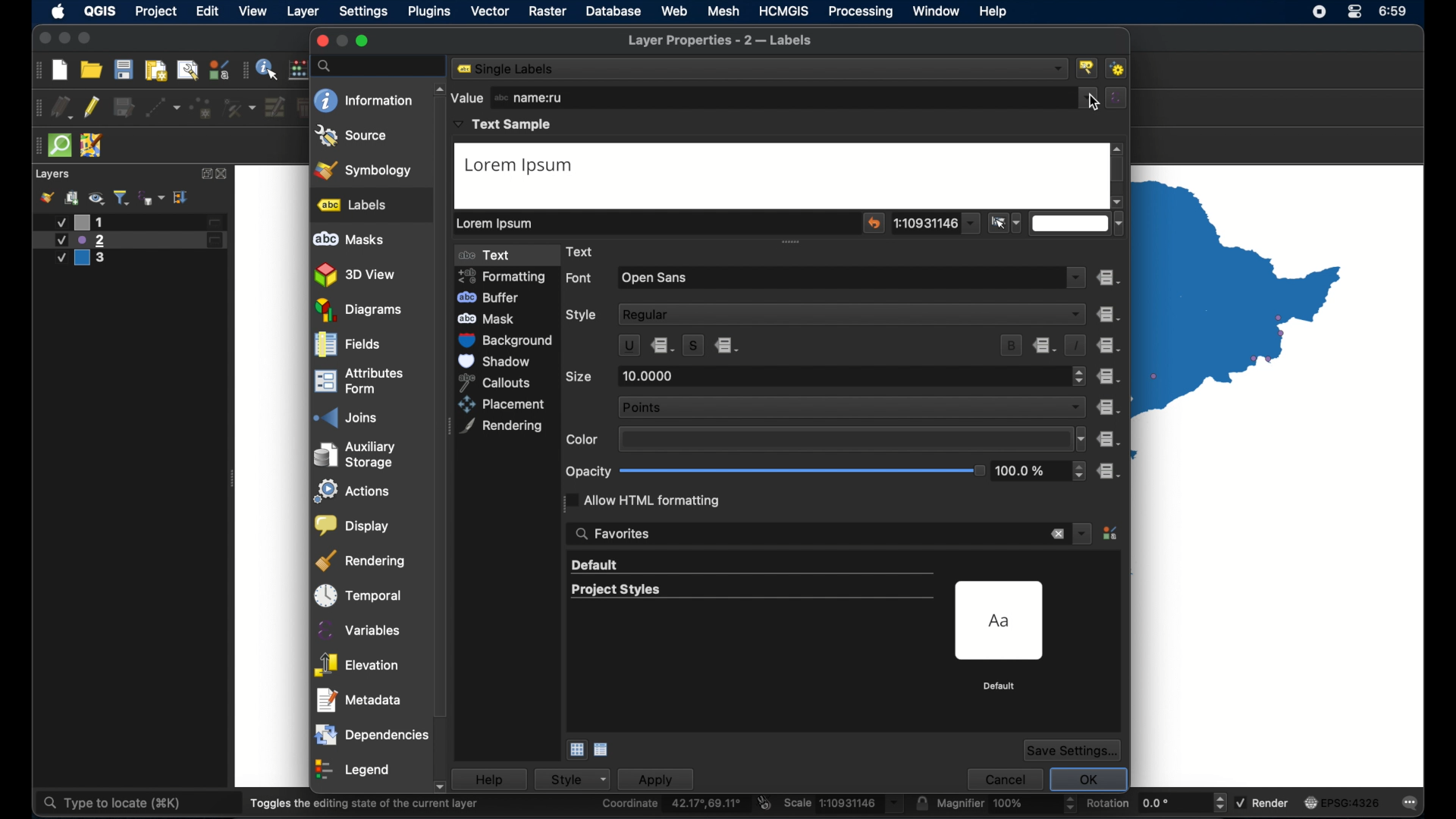 This screenshot has width=1456, height=819. I want to click on 3D view, so click(357, 275).